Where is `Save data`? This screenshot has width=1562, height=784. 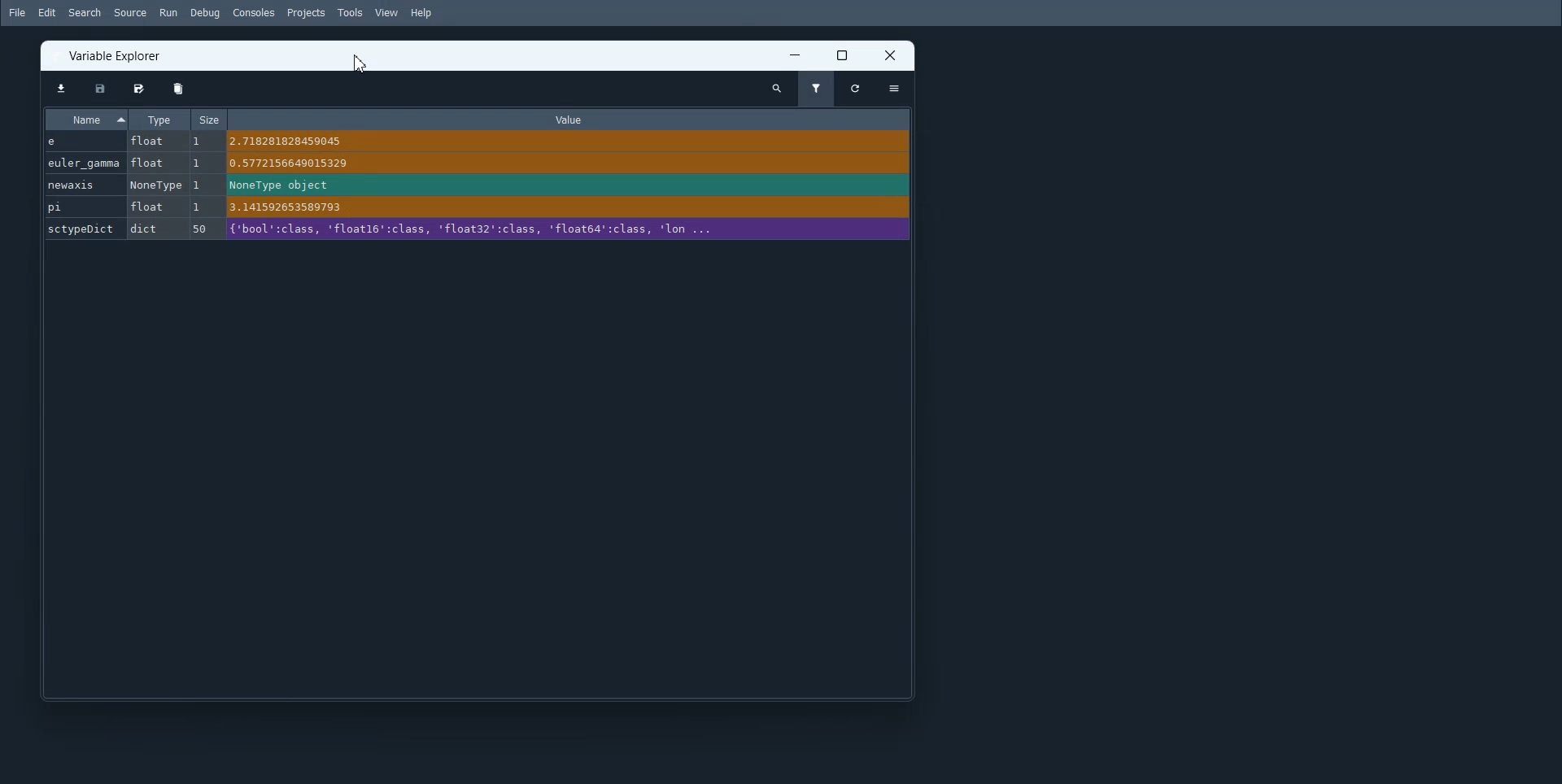
Save data is located at coordinates (98, 88).